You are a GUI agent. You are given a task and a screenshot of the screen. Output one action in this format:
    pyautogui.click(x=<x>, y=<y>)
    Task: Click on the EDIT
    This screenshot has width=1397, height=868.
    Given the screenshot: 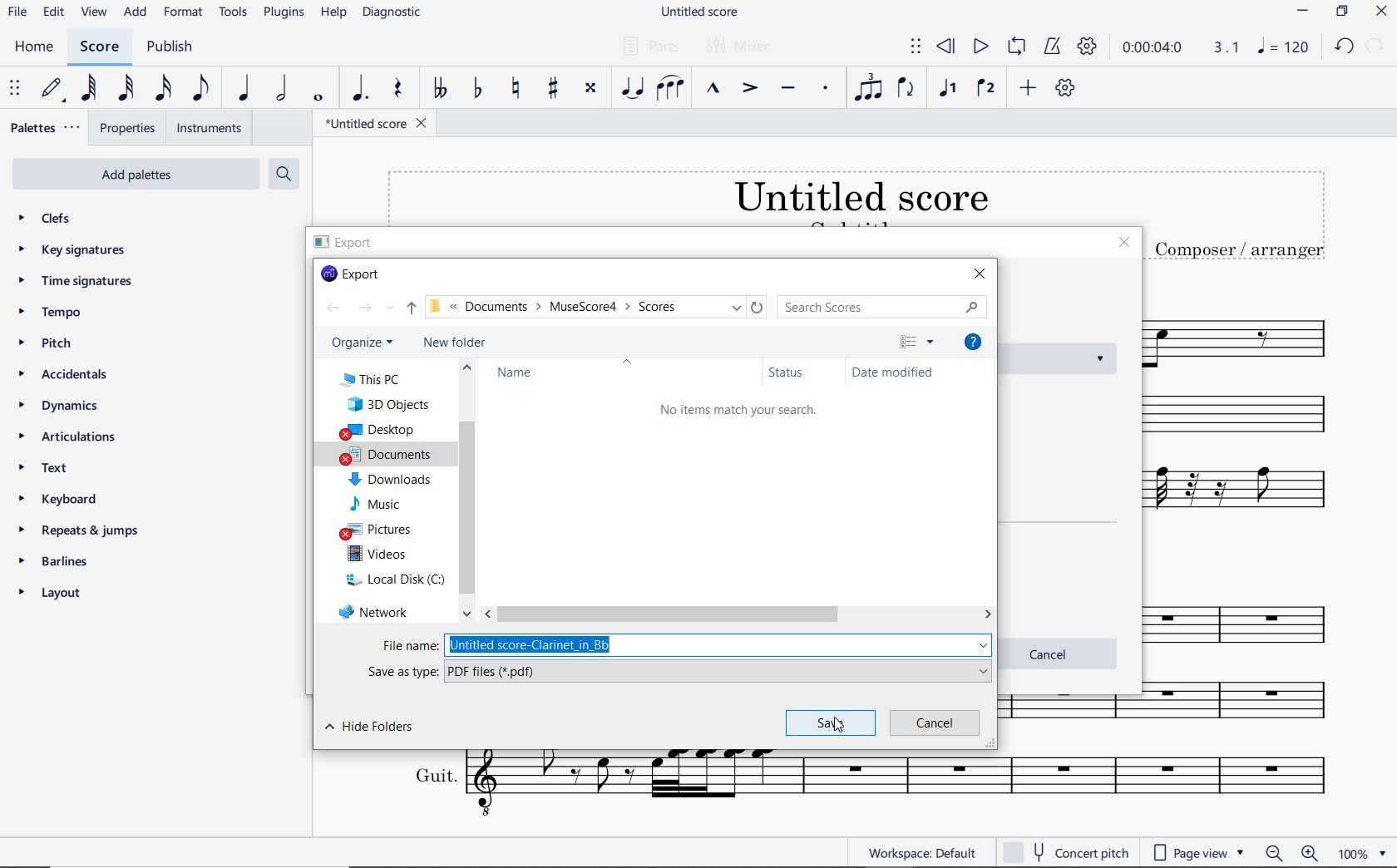 What is the action you would take?
    pyautogui.click(x=54, y=12)
    